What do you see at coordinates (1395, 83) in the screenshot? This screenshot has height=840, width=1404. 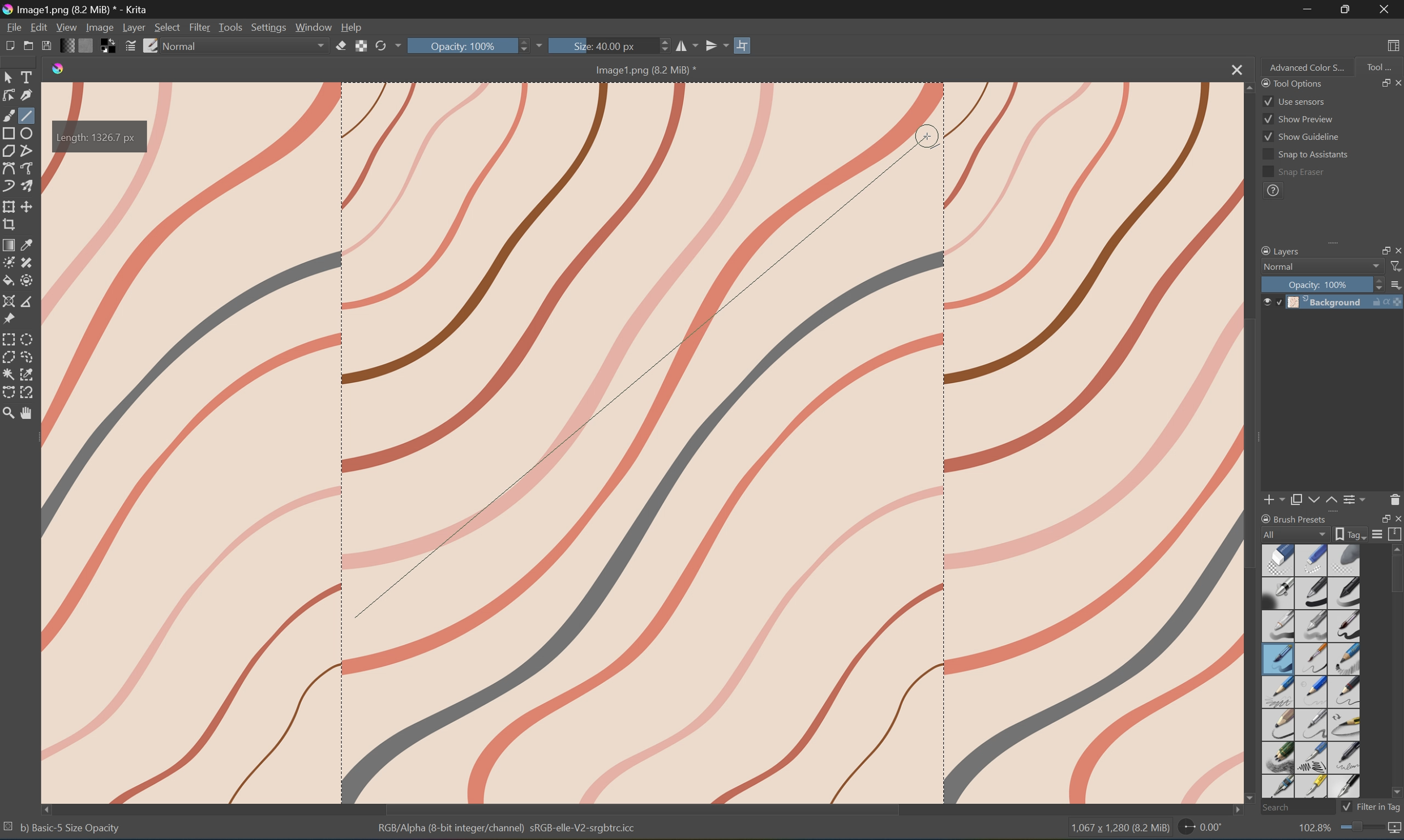 I see `Close` at bounding box center [1395, 83].